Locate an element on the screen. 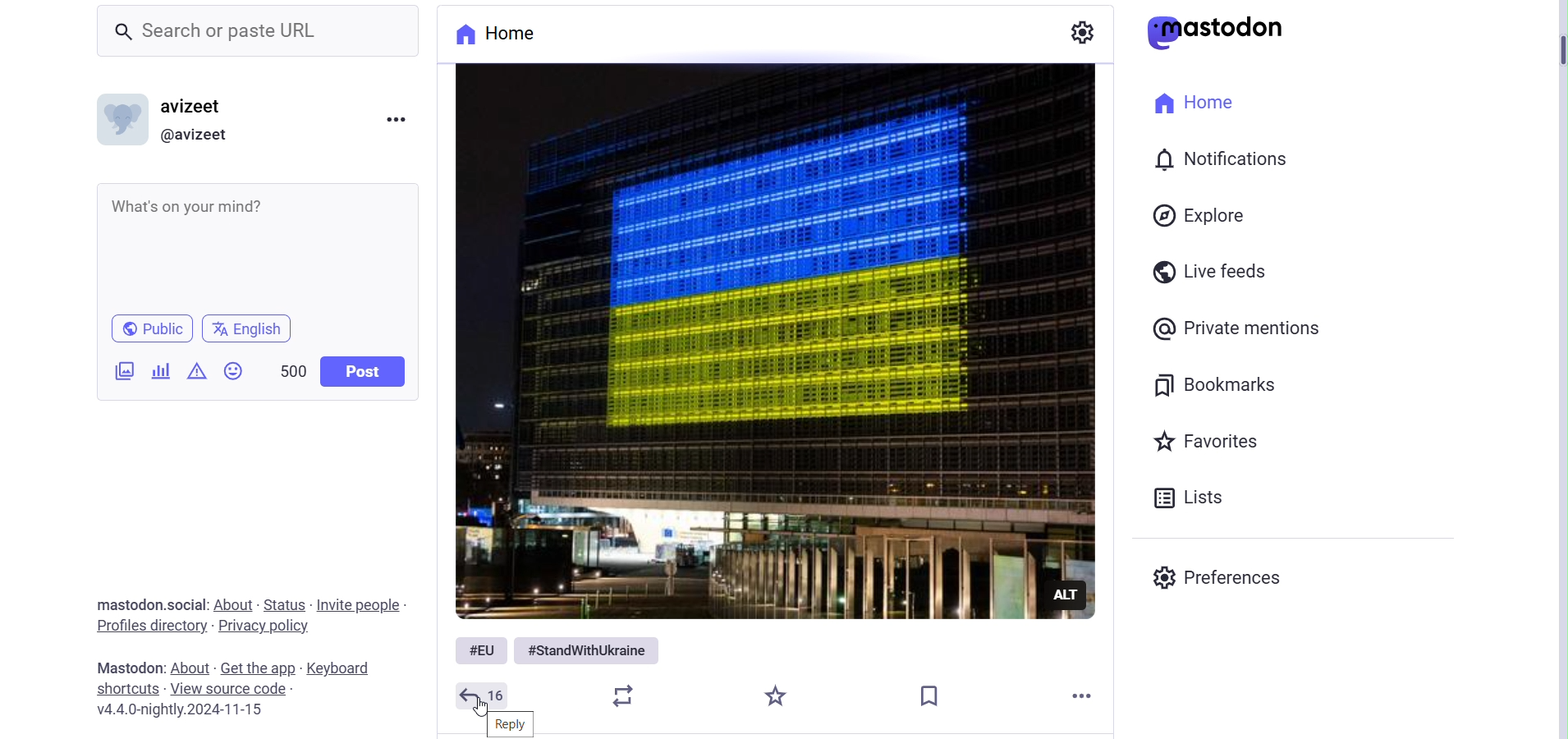 Image resolution: width=1568 pixels, height=739 pixels. Hashtags is located at coordinates (559, 649).